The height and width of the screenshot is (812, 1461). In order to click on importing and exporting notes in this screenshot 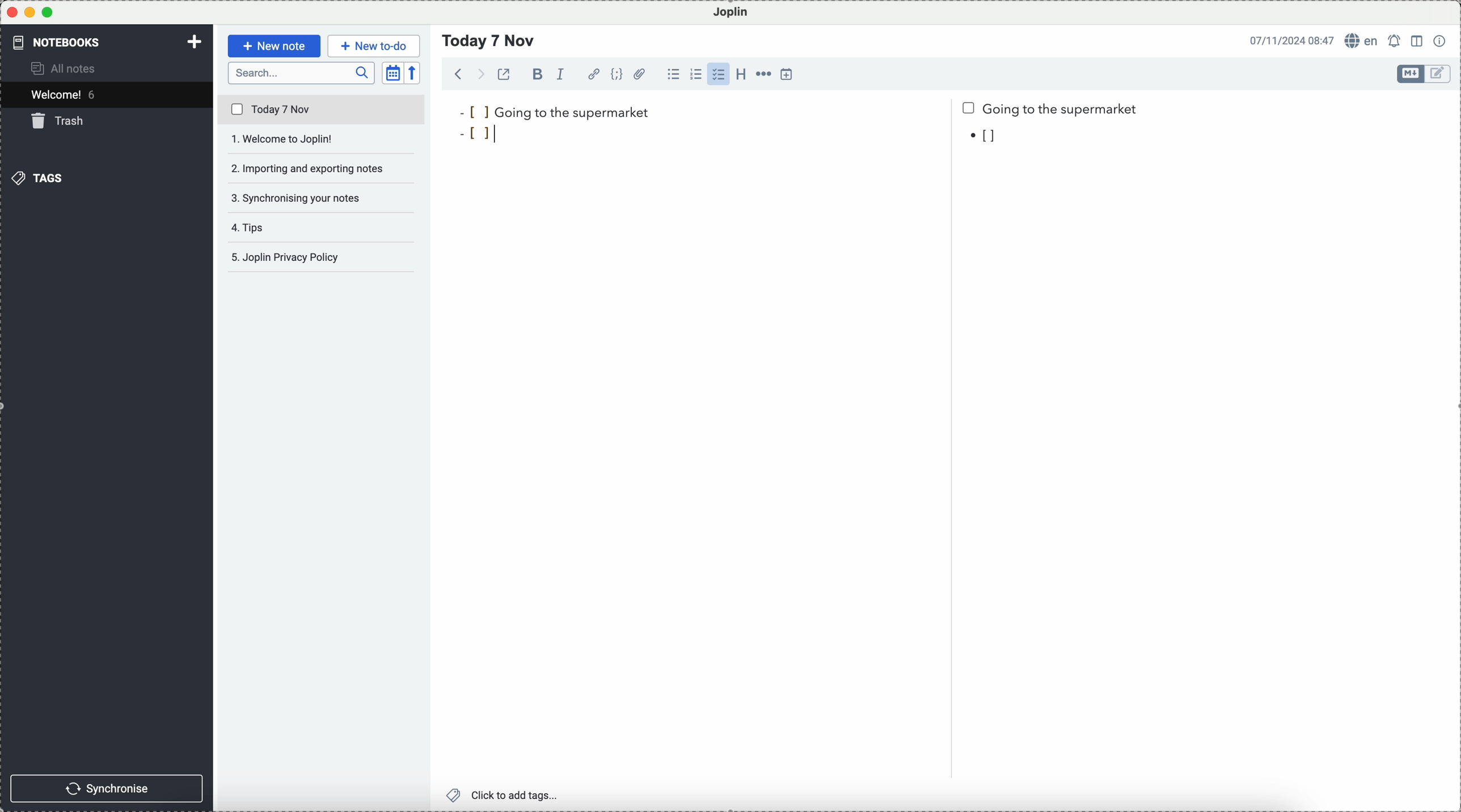, I will do `click(323, 168)`.